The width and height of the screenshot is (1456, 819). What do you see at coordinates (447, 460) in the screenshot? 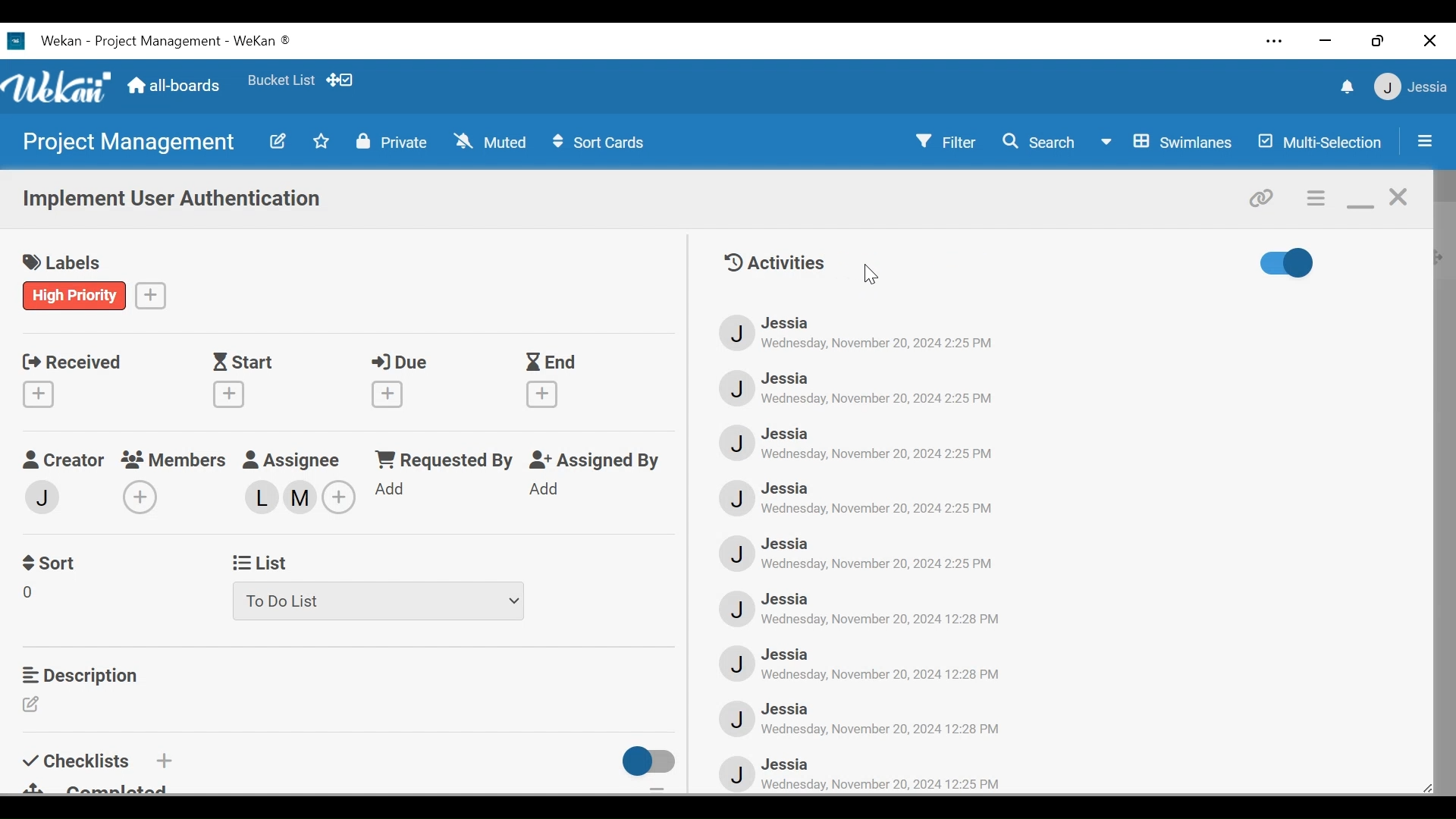
I see `Requested by` at bounding box center [447, 460].